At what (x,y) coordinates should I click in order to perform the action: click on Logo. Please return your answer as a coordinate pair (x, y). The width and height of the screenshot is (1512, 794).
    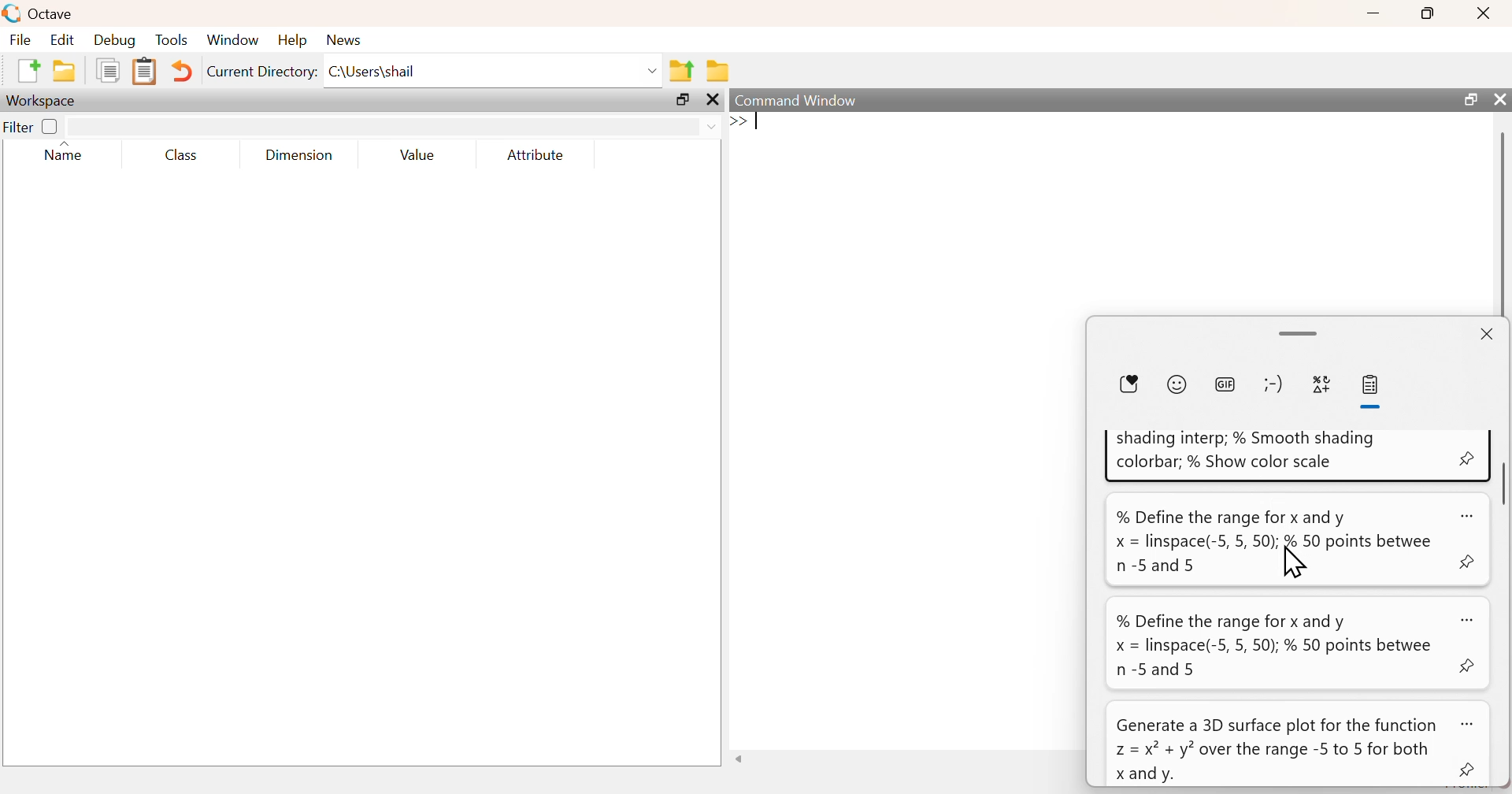
    Looking at the image, I should click on (13, 14).